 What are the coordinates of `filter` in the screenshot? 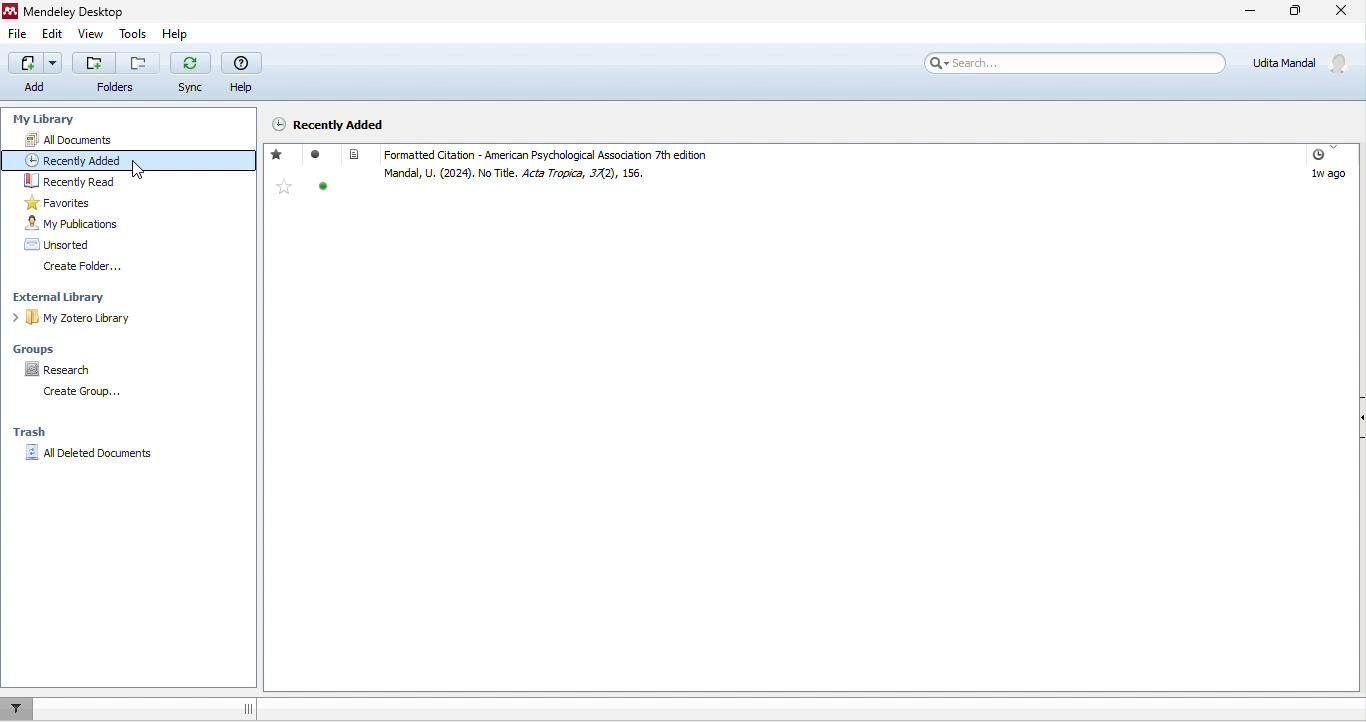 It's located at (20, 709).